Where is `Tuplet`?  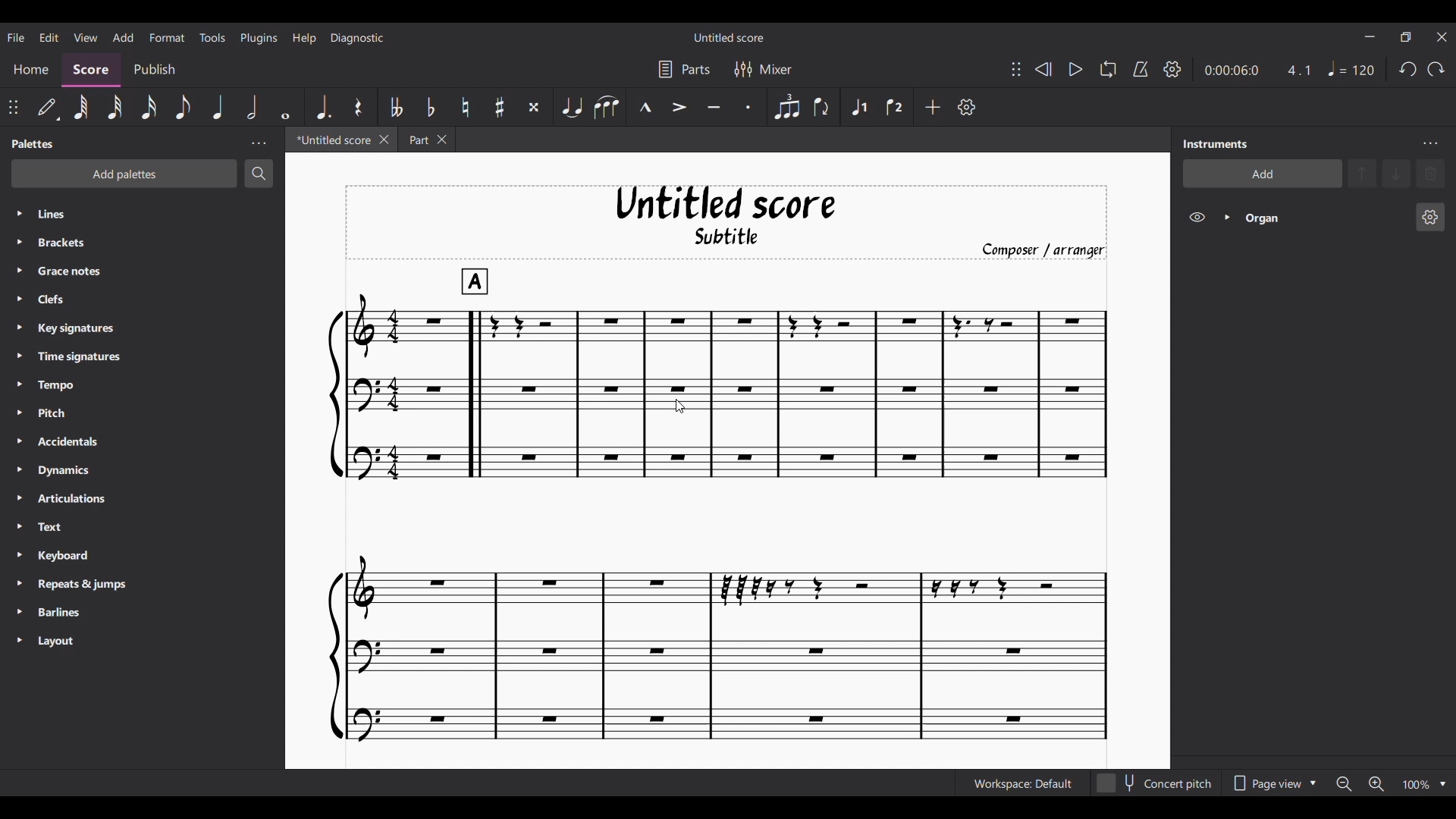
Tuplet is located at coordinates (786, 108).